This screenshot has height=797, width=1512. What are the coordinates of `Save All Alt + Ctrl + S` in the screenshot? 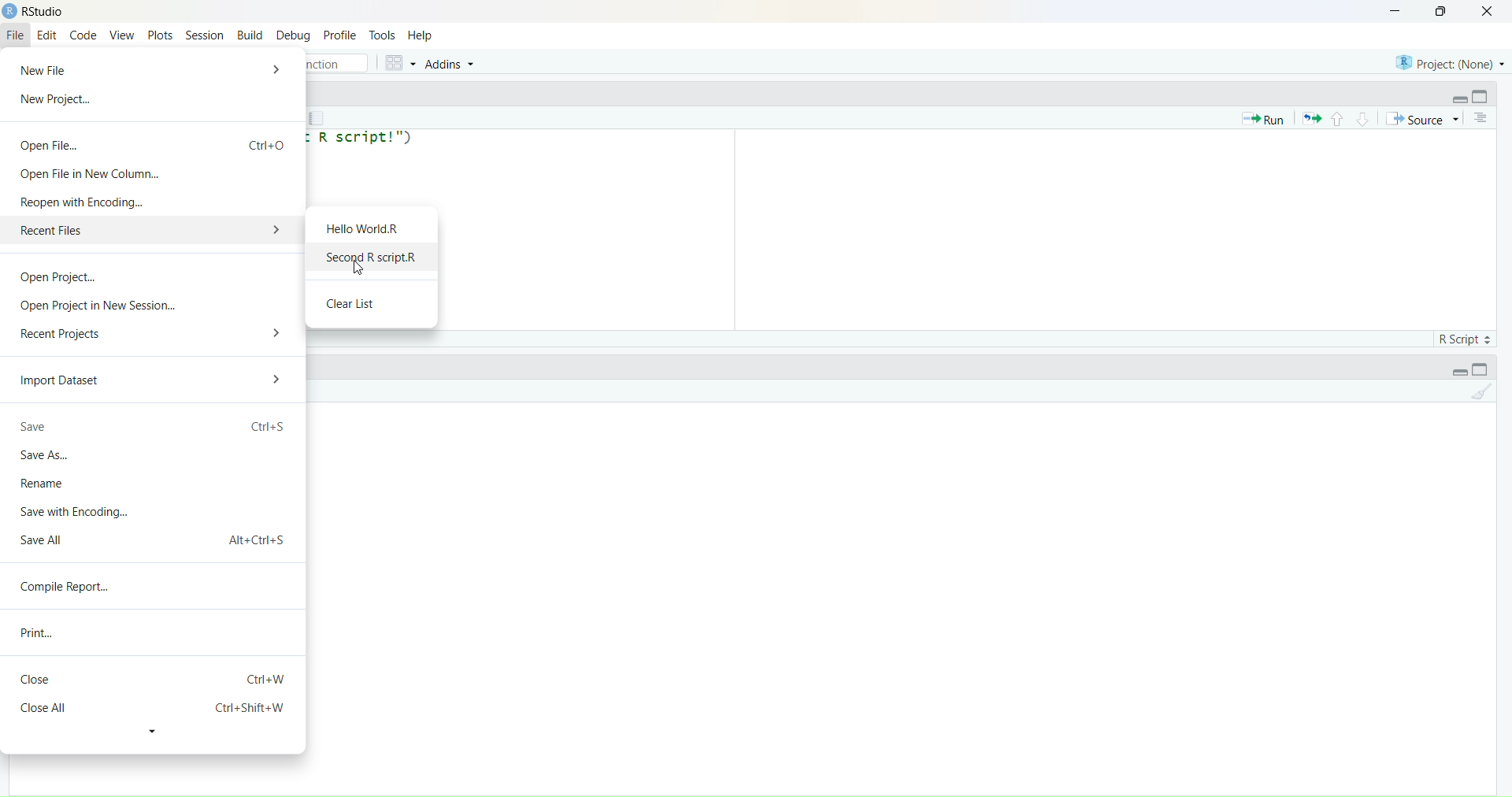 It's located at (154, 538).